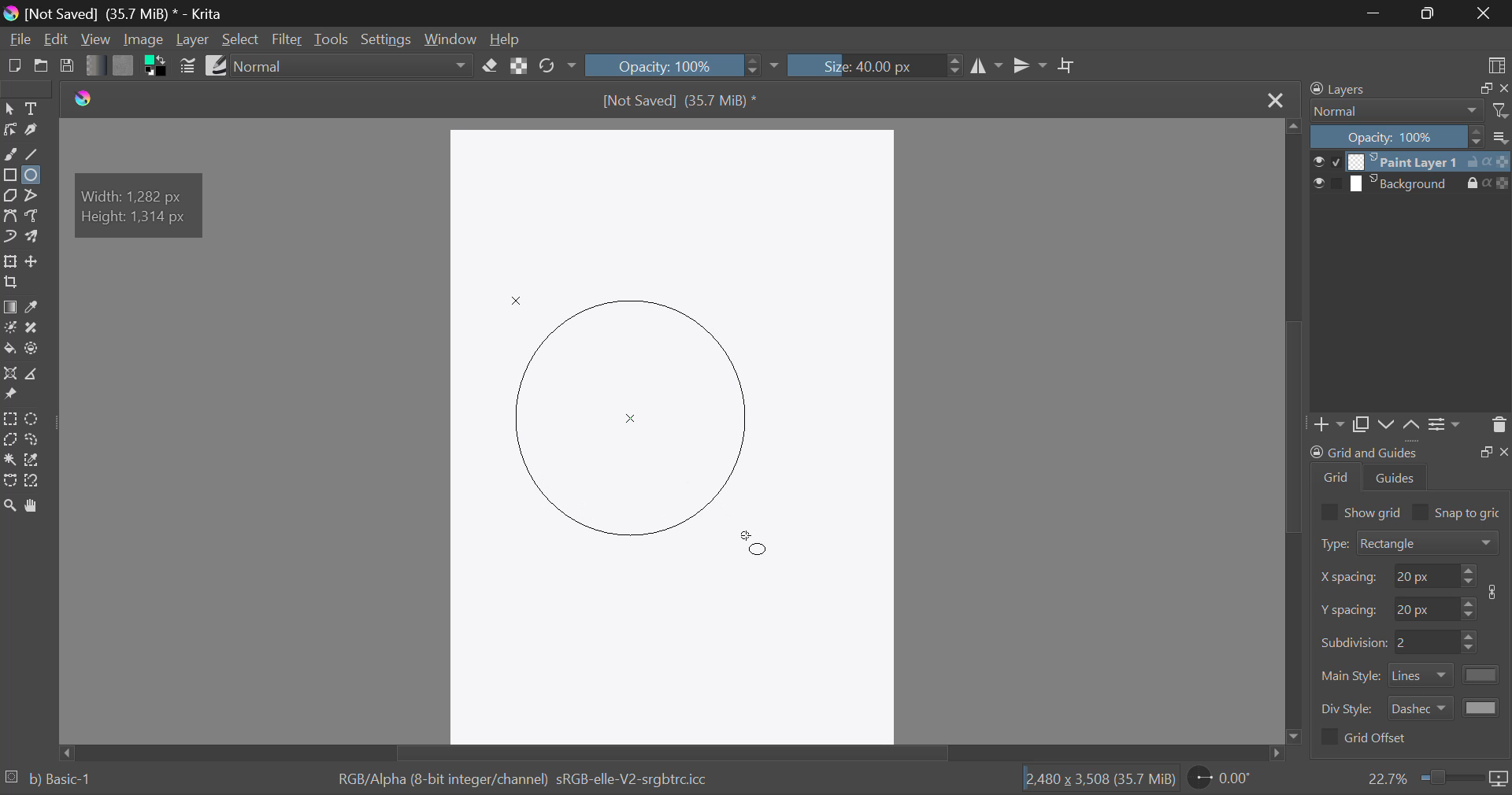 The image size is (1512, 795). I want to click on Line, so click(32, 152).